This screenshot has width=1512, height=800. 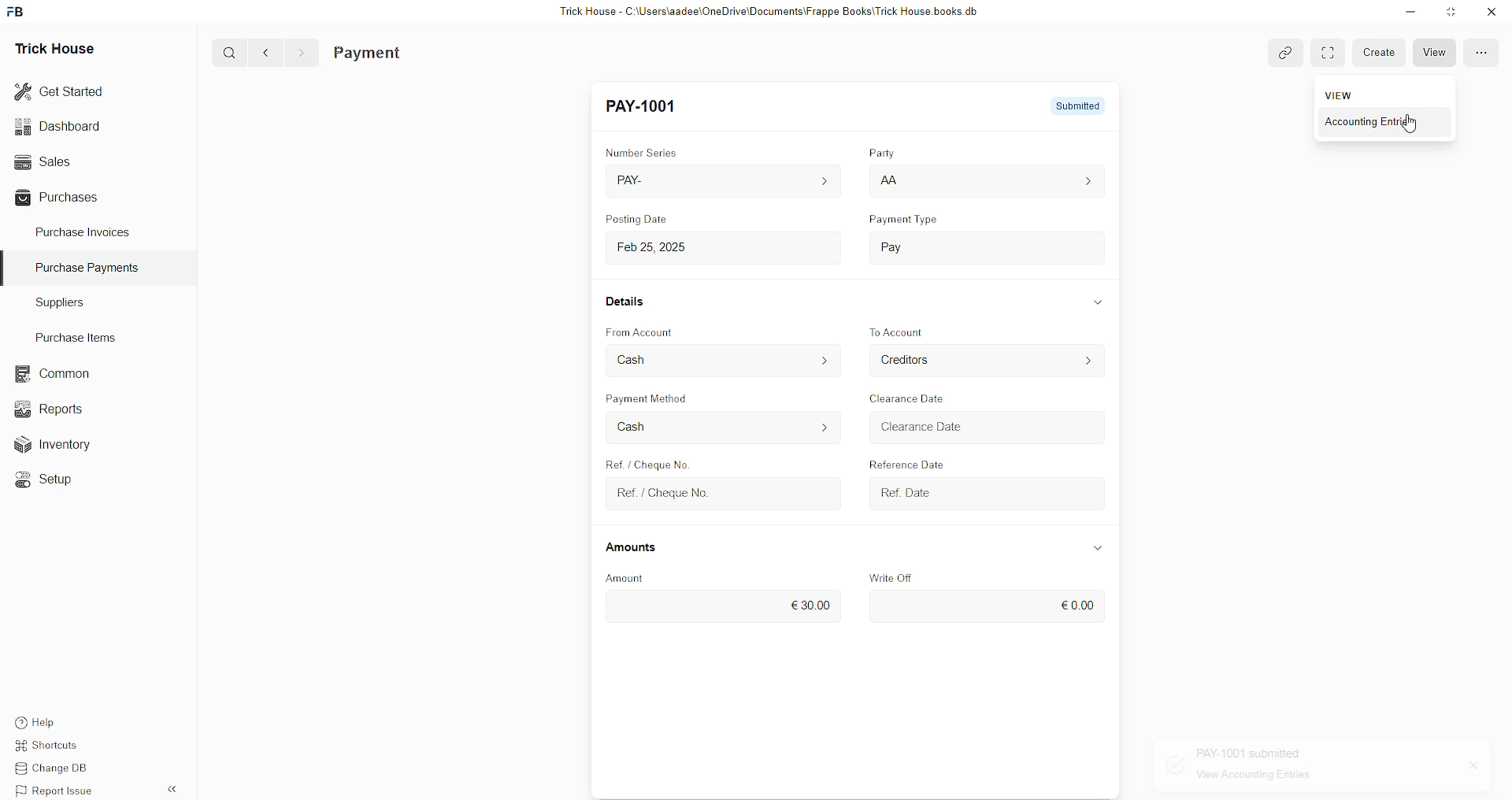 I want to click on Write Off, so click(x=905, y=576).